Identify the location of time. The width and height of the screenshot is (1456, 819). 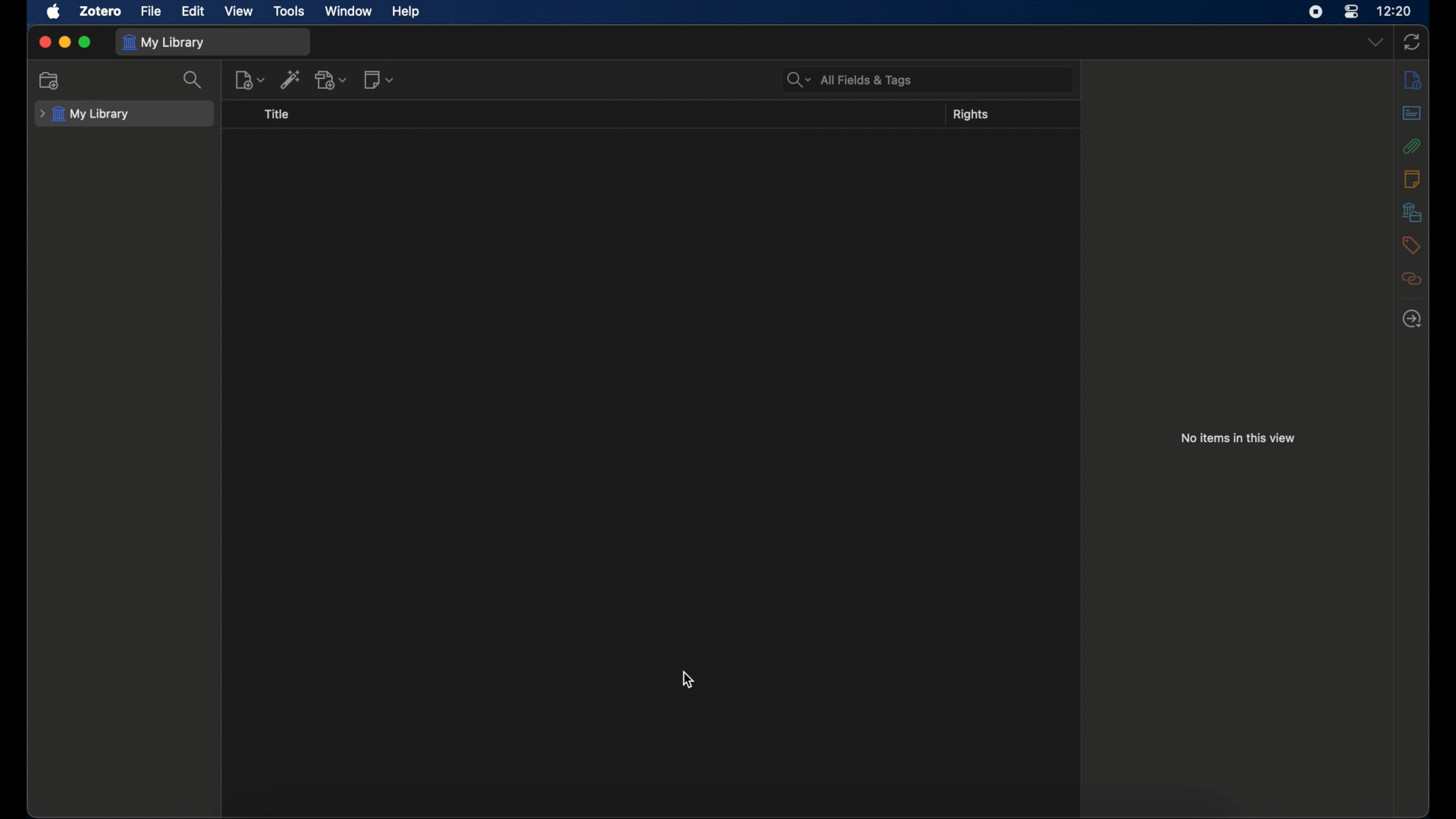
(1395, 11).